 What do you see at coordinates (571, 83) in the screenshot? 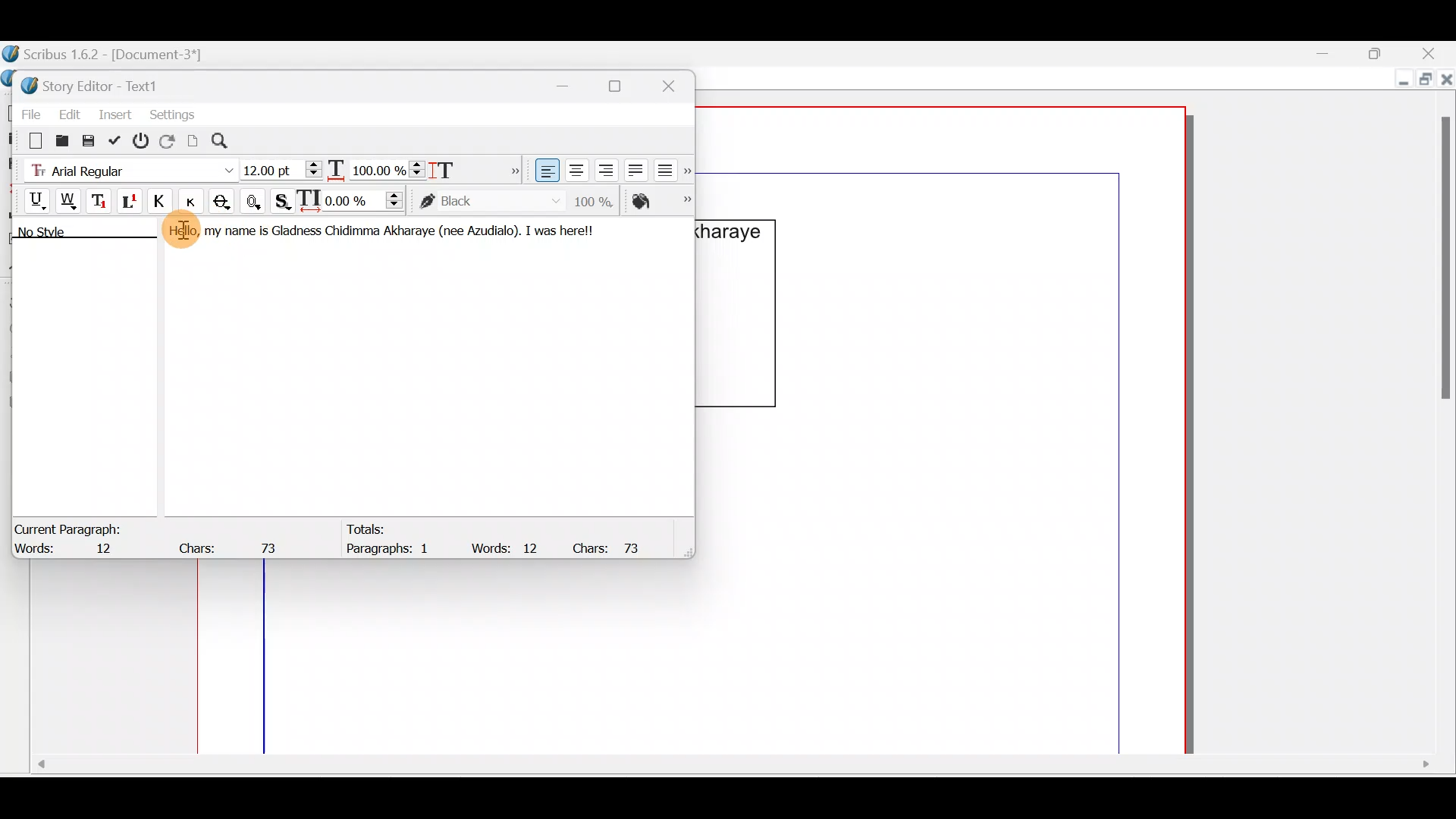
I see `Minimize` at bounding box center [571, 83].